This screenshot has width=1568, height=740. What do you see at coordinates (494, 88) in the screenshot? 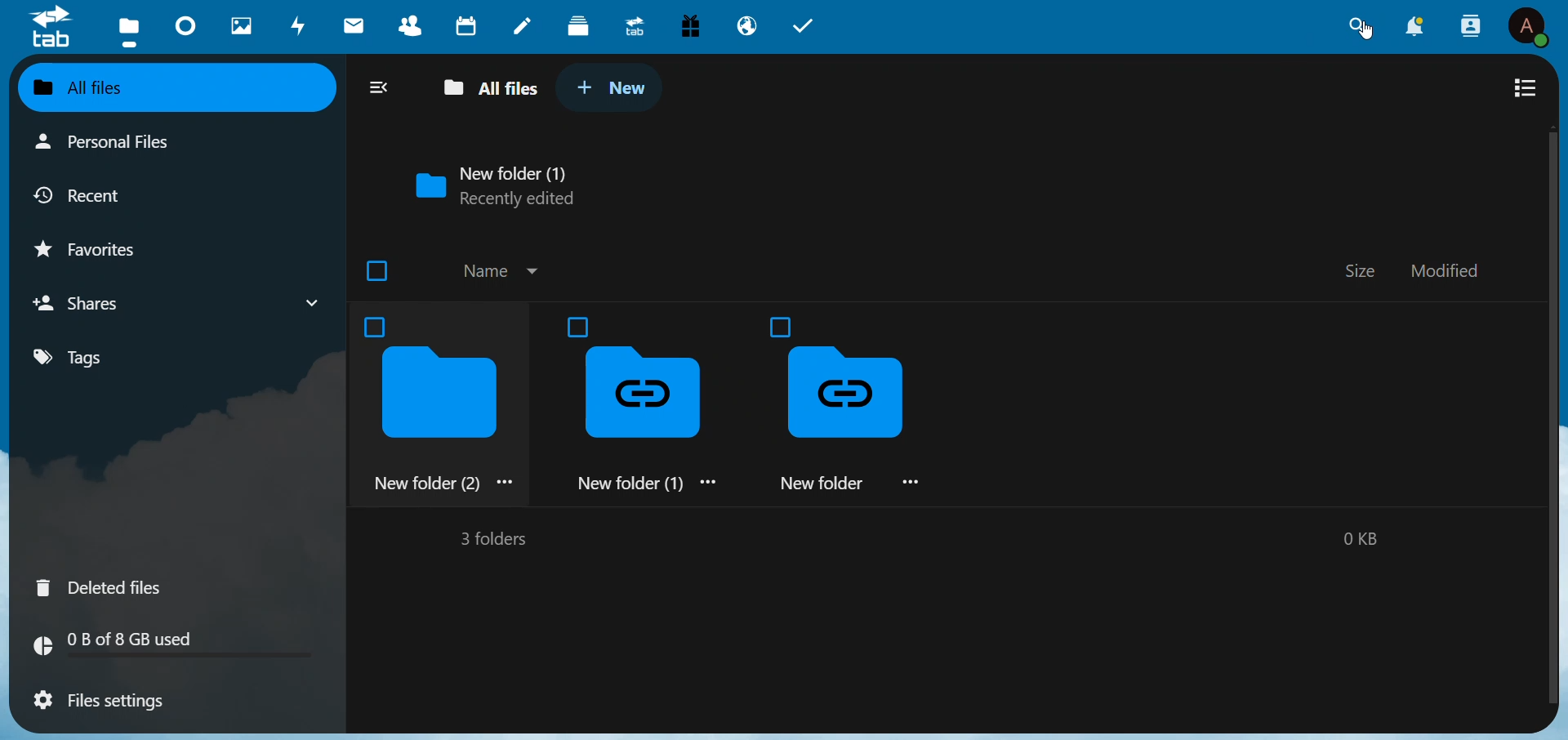
I see `all files` at bounding box center [494, 88].